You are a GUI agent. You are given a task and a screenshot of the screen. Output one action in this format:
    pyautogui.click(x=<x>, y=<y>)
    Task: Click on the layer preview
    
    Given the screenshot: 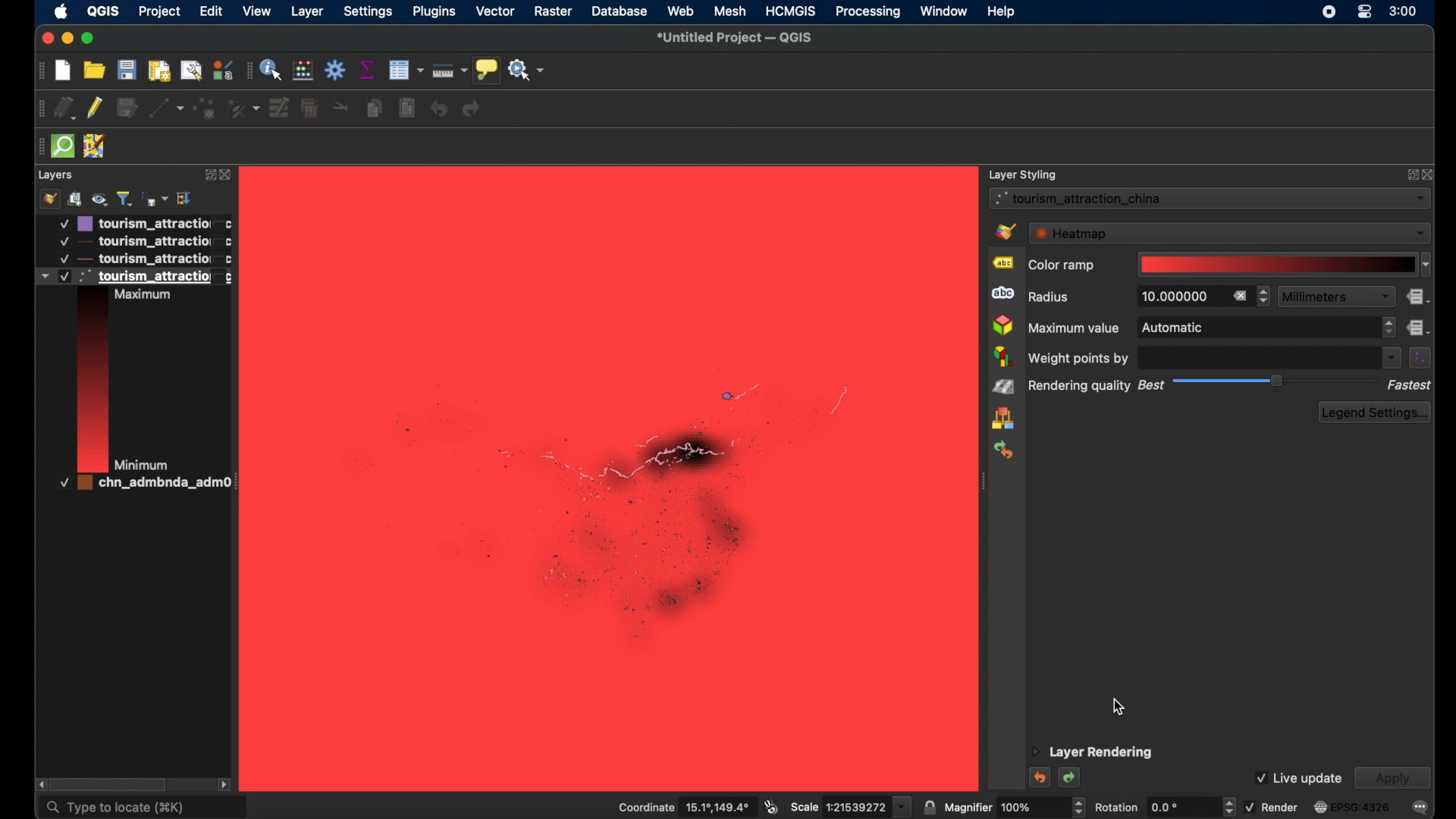 What is the action you would take?
    pyautogui.click(x=92, y=383)
    